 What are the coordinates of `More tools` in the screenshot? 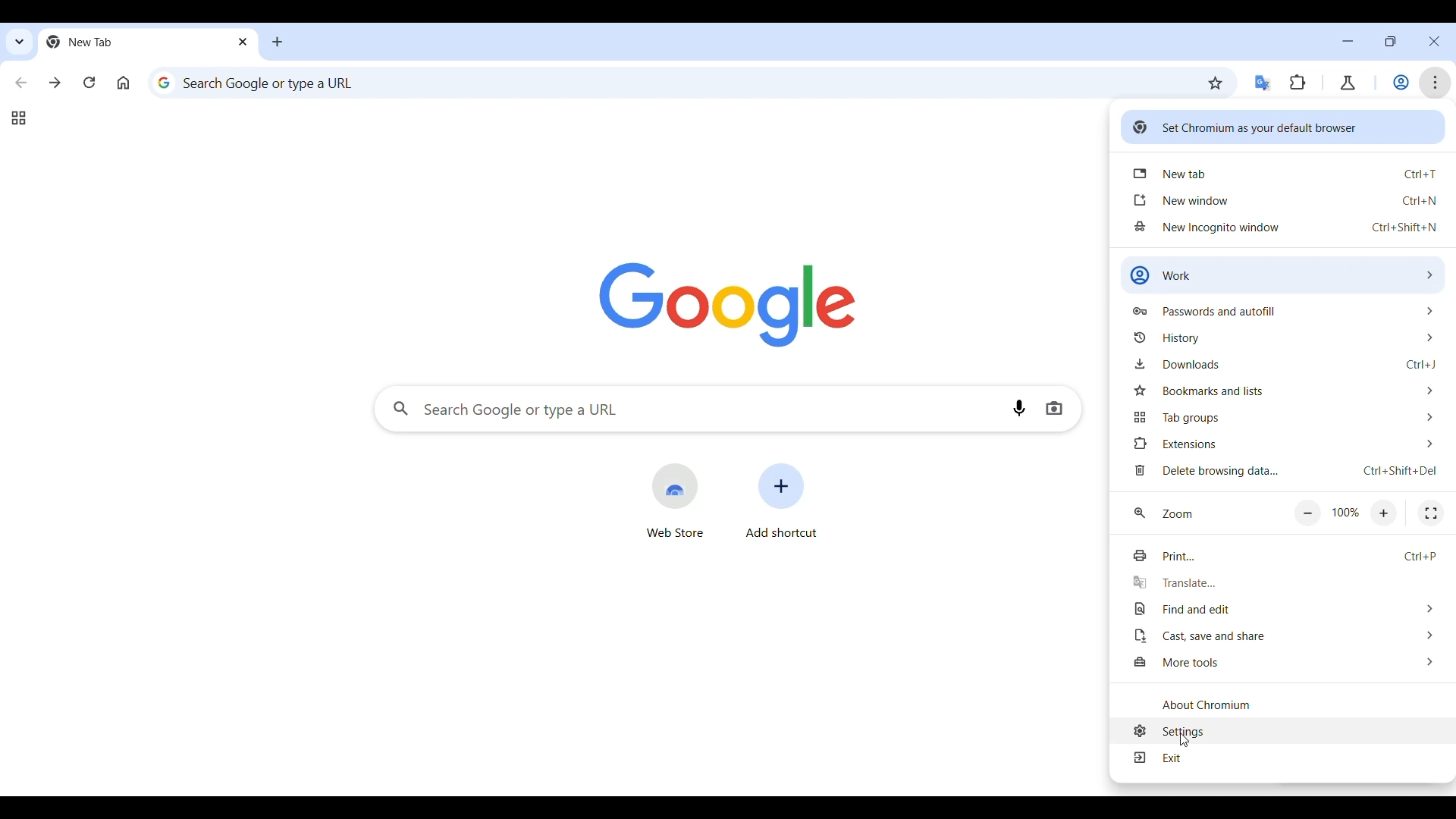 It's located at (1285, 663).